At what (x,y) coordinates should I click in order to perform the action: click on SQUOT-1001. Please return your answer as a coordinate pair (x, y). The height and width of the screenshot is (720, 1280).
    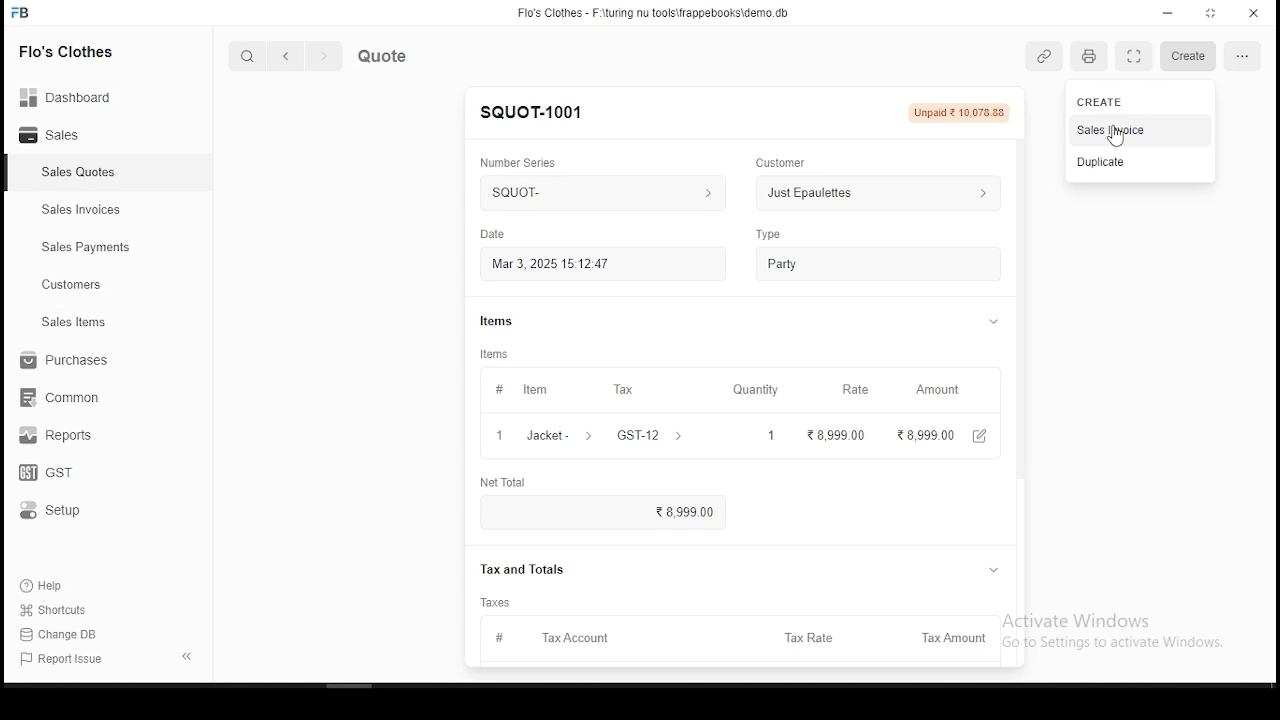
    Looking at the image, I should click on (540, 109).